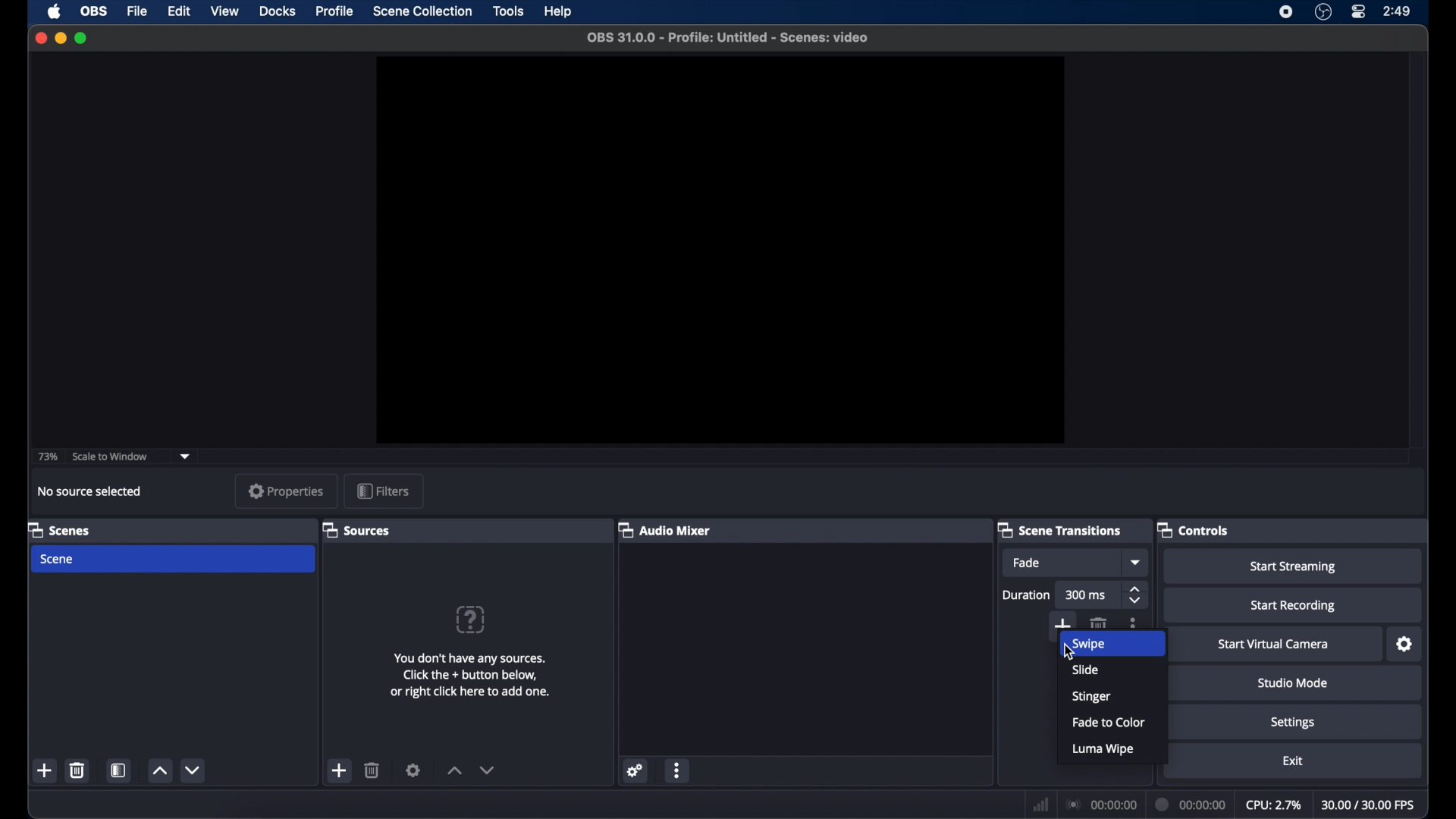 The height and width of the screenshot is (819, 1456). What do you see at coordinates (1370, 805) in the screenshot?
I see `fps` at bounding box center [1370, 805].